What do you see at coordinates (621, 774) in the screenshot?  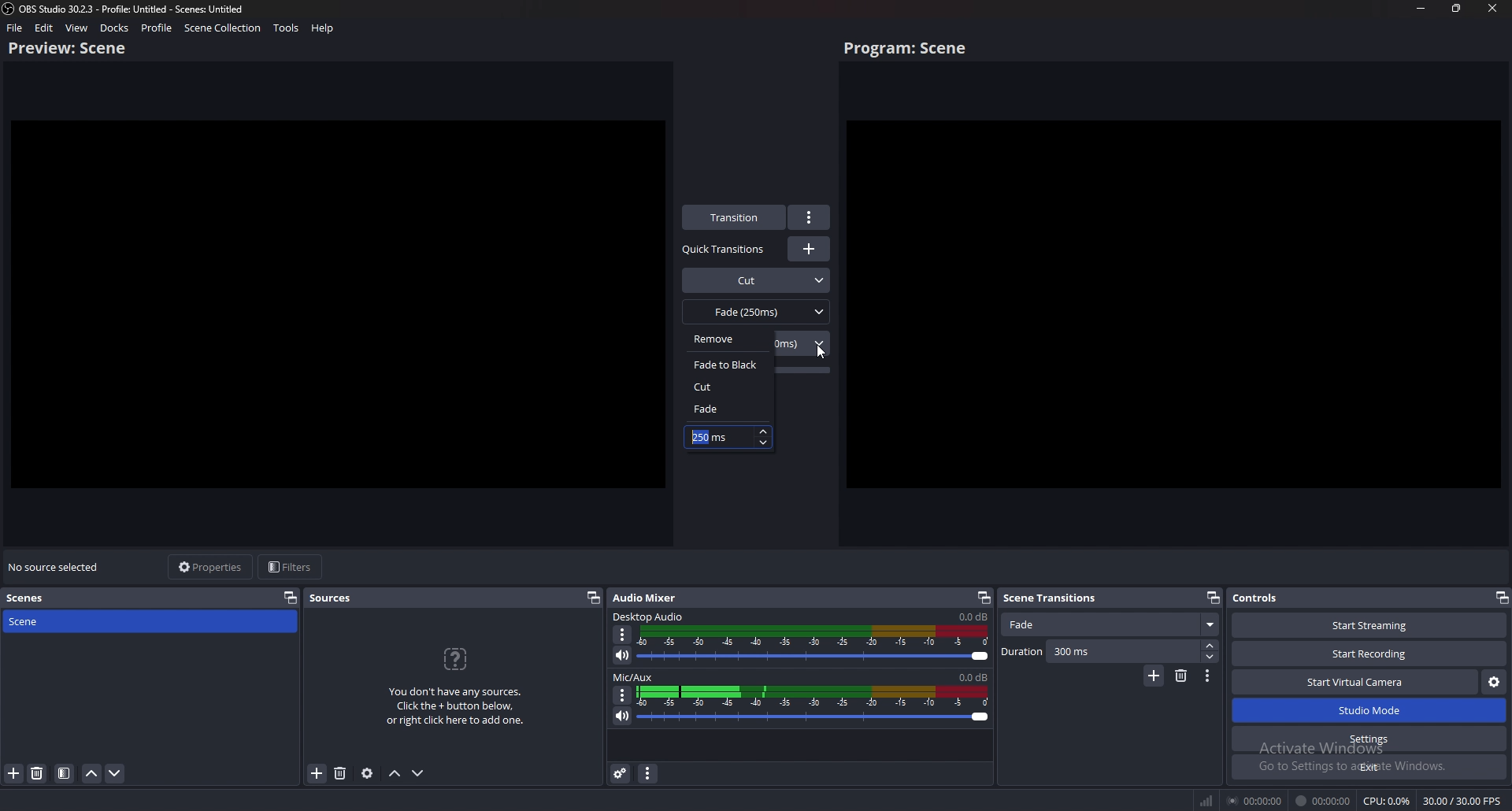 I see `advanced audio properties` at bounding box center [621, 774].